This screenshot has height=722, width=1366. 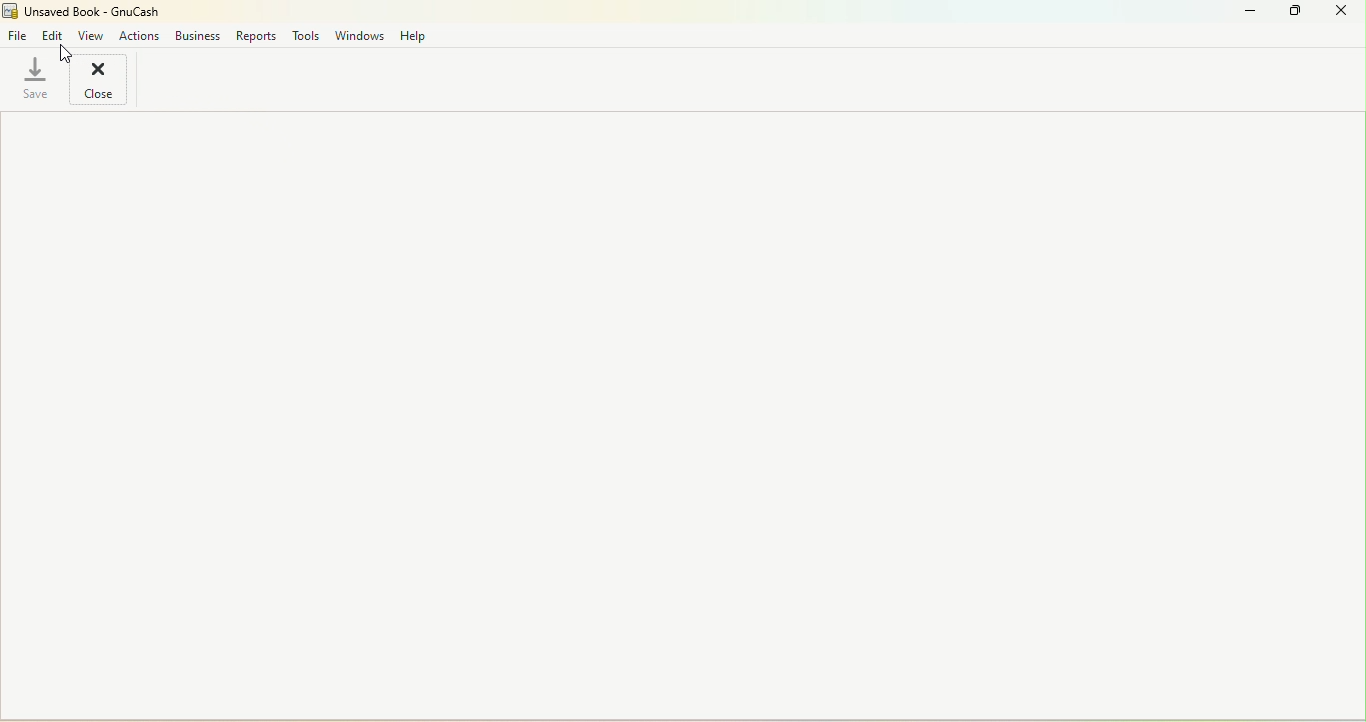 What do you see at coordinates (1340, 11) in the screenshot?
I see `close` at bounding box center [1340, 11].